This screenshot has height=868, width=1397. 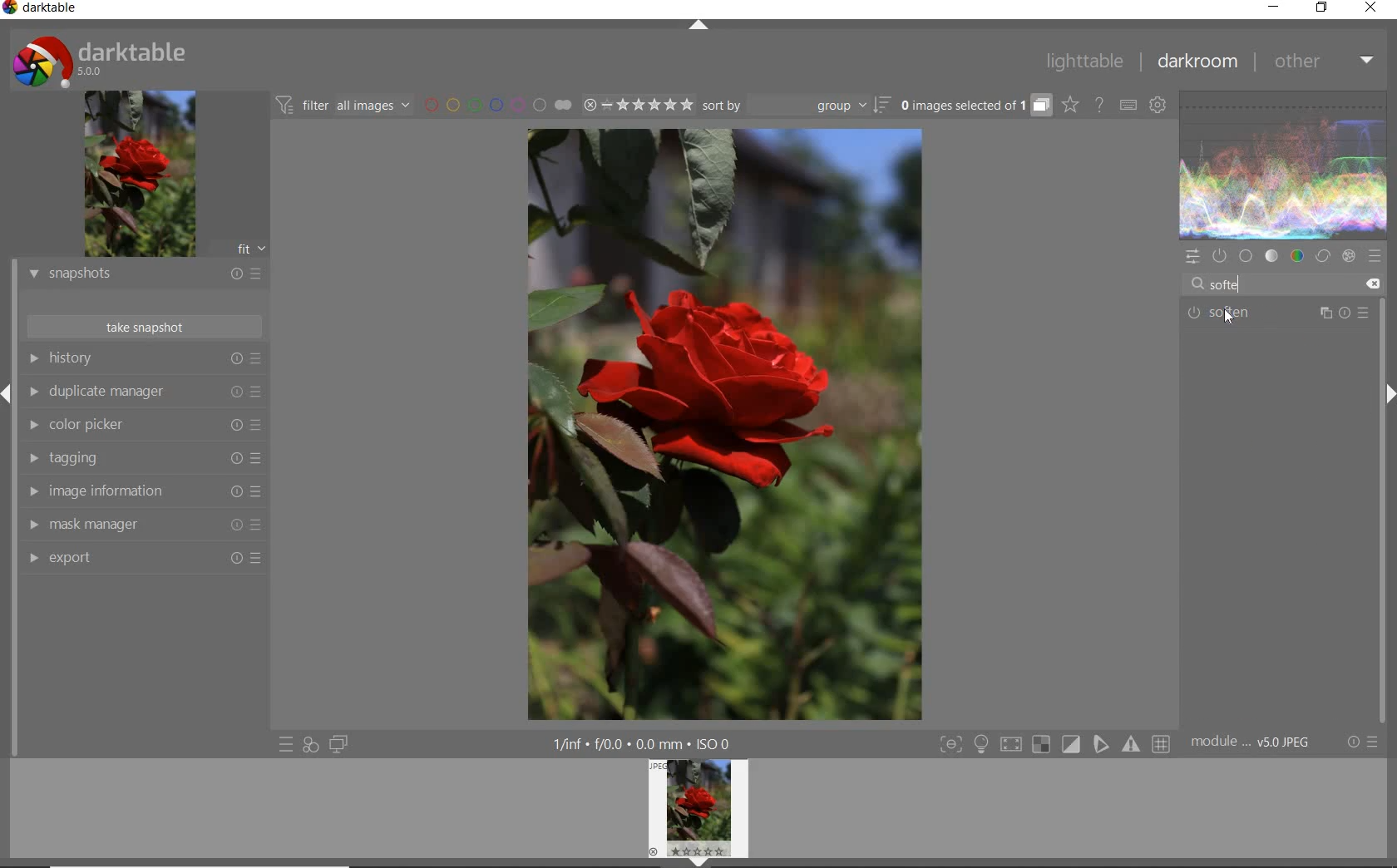 I want to click on restore, so click(x=1324, y=10).